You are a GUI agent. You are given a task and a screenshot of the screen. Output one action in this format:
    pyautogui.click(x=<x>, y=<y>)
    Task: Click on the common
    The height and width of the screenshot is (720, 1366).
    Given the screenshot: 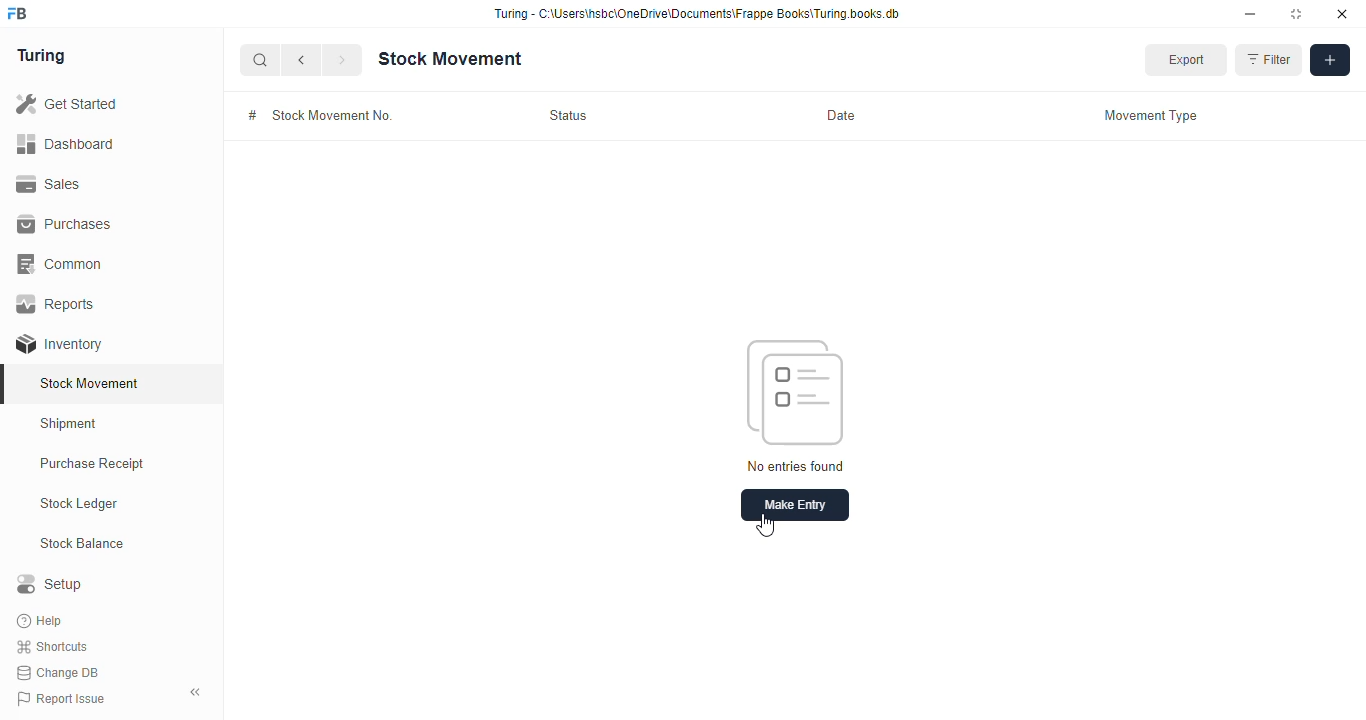 What is the action you would take?
    pyautogui.click(x=62, y=264)
    